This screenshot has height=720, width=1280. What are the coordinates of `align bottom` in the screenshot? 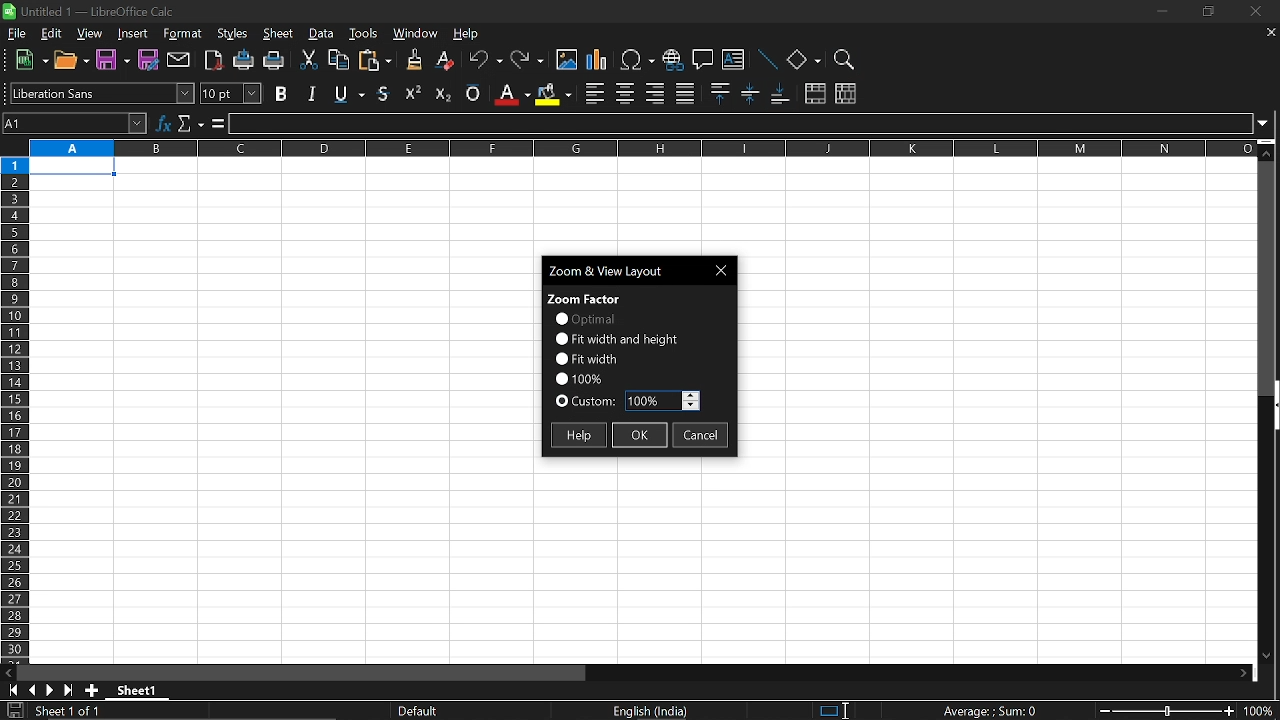 It's located at (782, 95).